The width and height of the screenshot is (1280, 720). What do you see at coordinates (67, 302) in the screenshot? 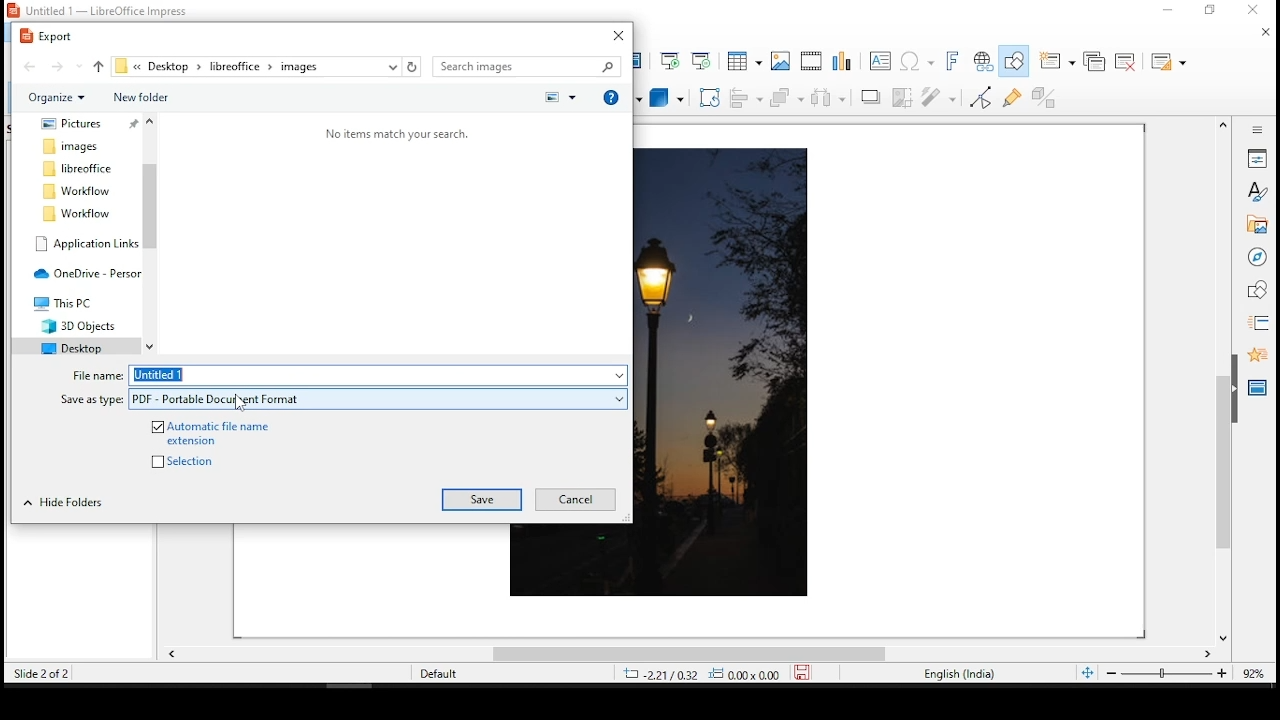
I see `folder` at bounding box center [67, 302].